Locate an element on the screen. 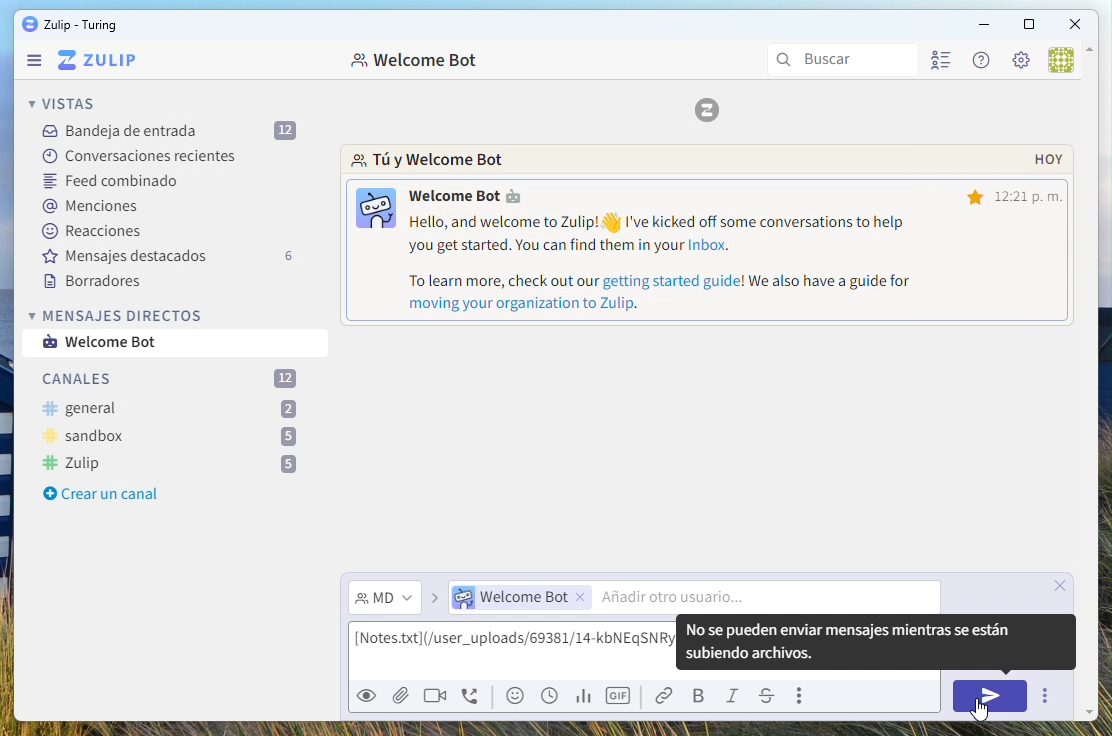  italic is located at coordinates (736, 698).